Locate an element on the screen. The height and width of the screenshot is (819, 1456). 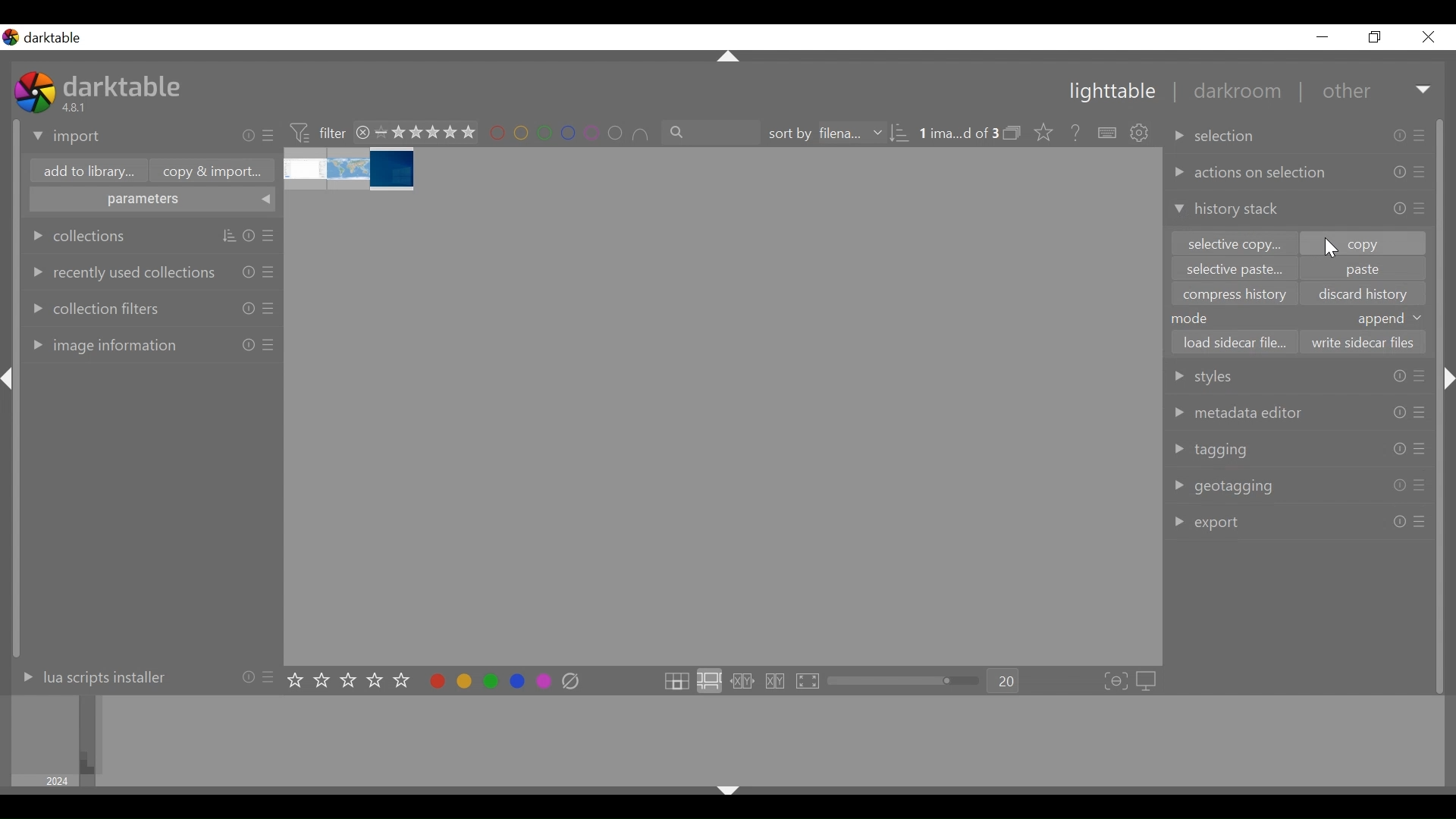
minimize is located at coordinates (1323, 37).